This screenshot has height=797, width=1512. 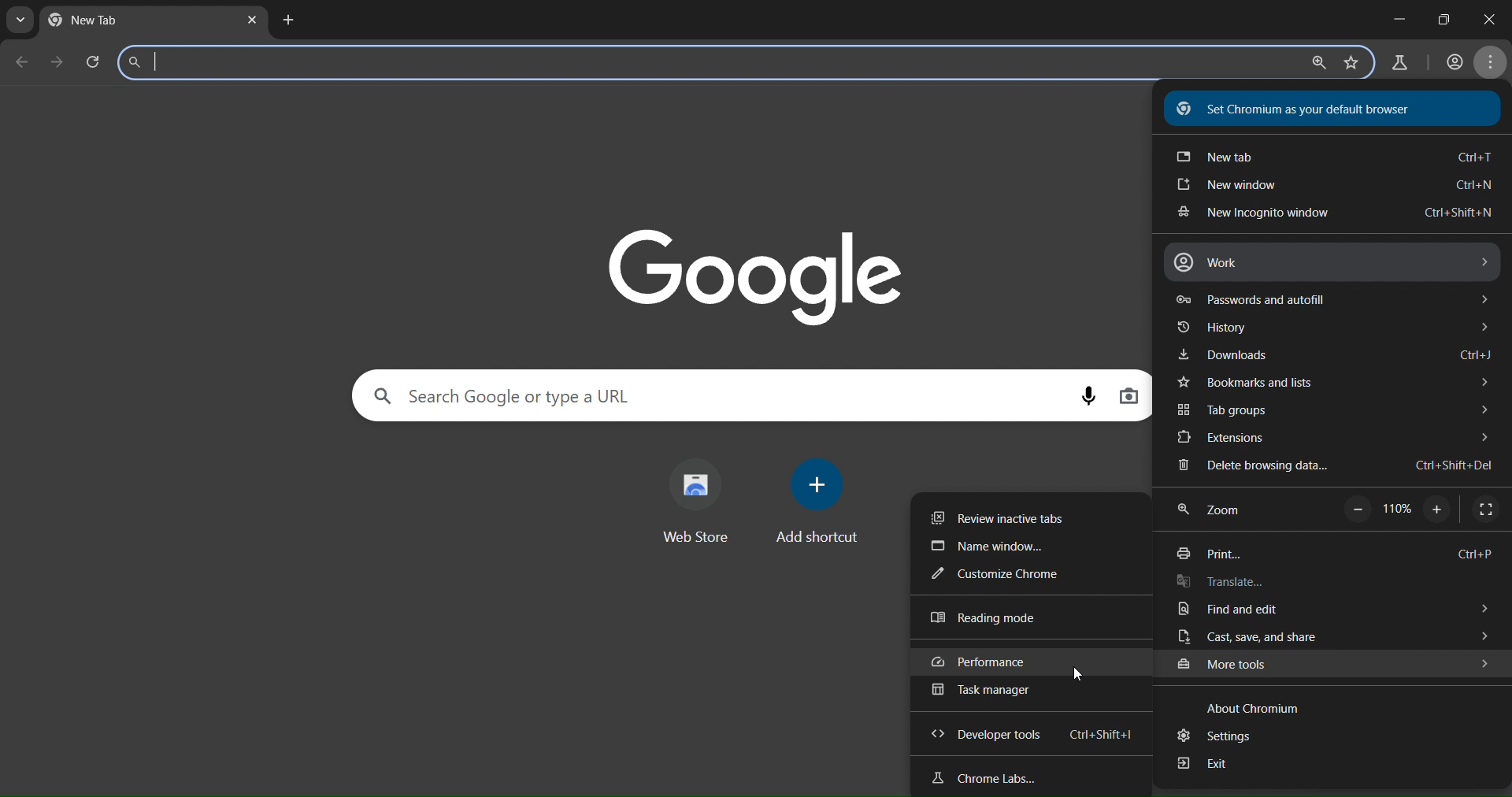 I want to click on 110%, so click(x=1396, y=510).